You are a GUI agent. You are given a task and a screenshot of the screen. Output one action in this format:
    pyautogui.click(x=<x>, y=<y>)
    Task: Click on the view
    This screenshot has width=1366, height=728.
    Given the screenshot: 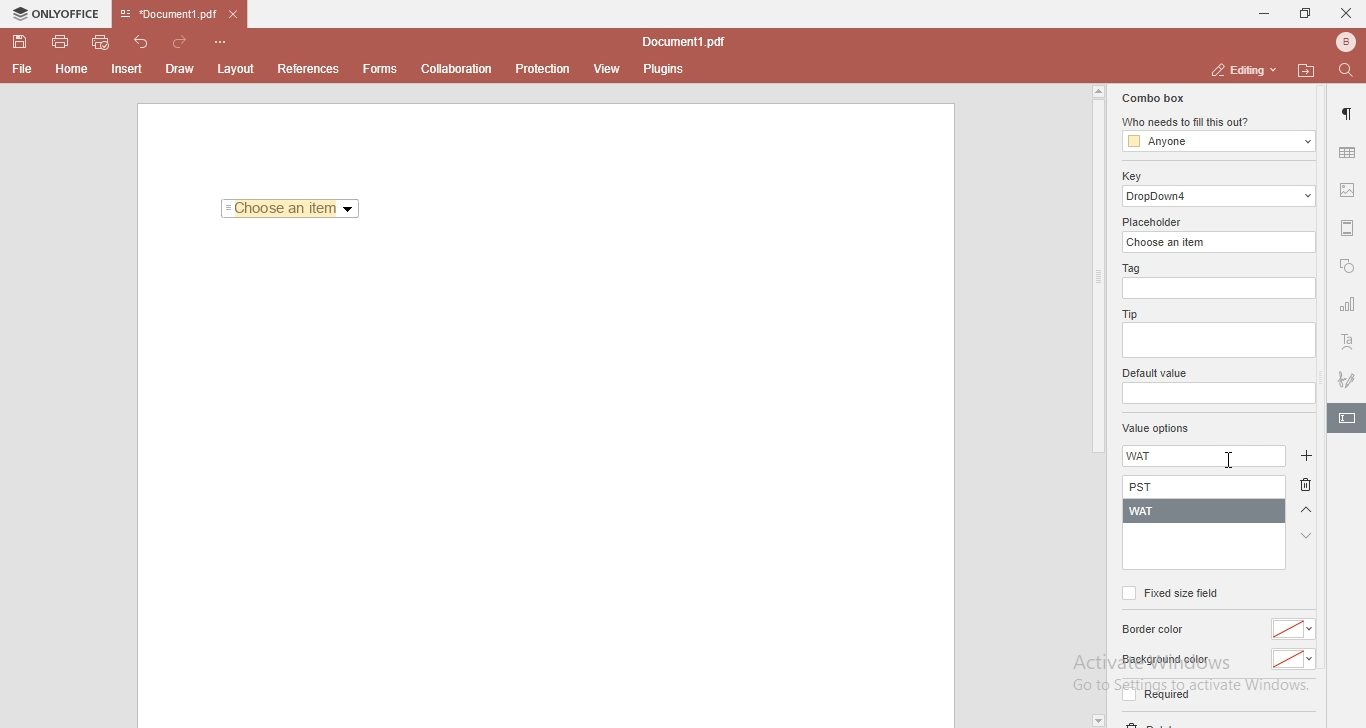 What is the action you would take?
    pyautogui.click(x=608, y=69)
    